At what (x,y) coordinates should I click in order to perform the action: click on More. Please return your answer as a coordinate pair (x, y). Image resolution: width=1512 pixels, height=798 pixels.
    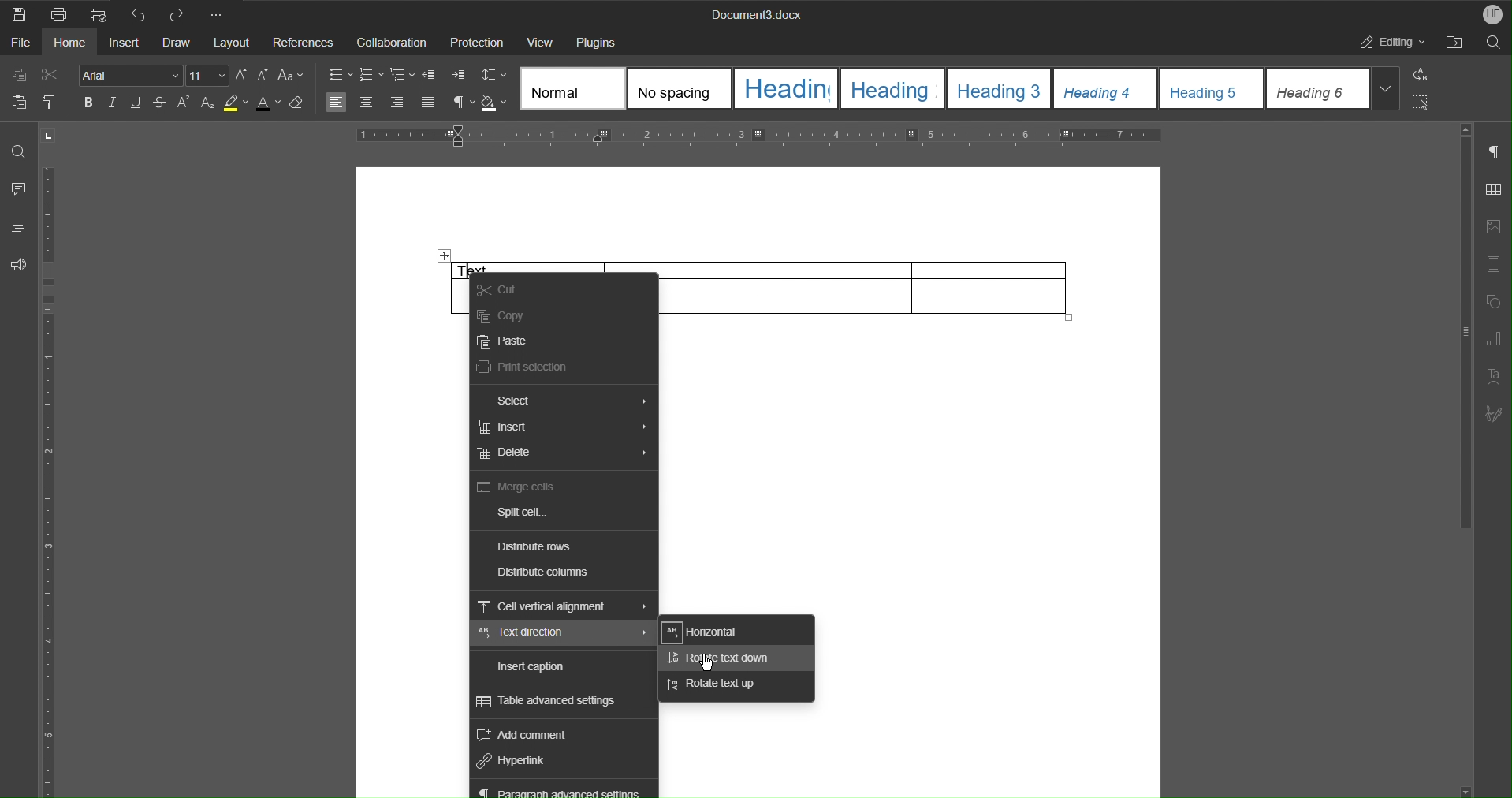
    Looking at the image, I should click on (223, 13).